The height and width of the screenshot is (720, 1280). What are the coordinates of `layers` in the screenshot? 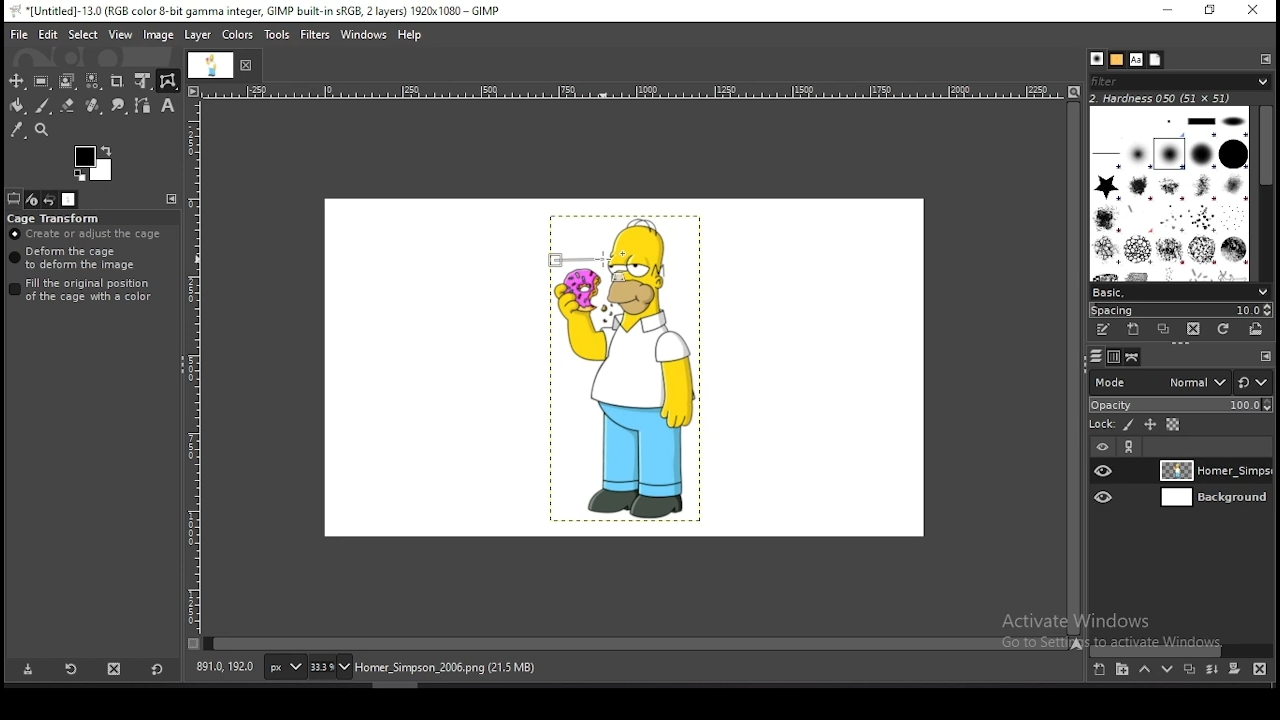 It's located at (1093, 356).